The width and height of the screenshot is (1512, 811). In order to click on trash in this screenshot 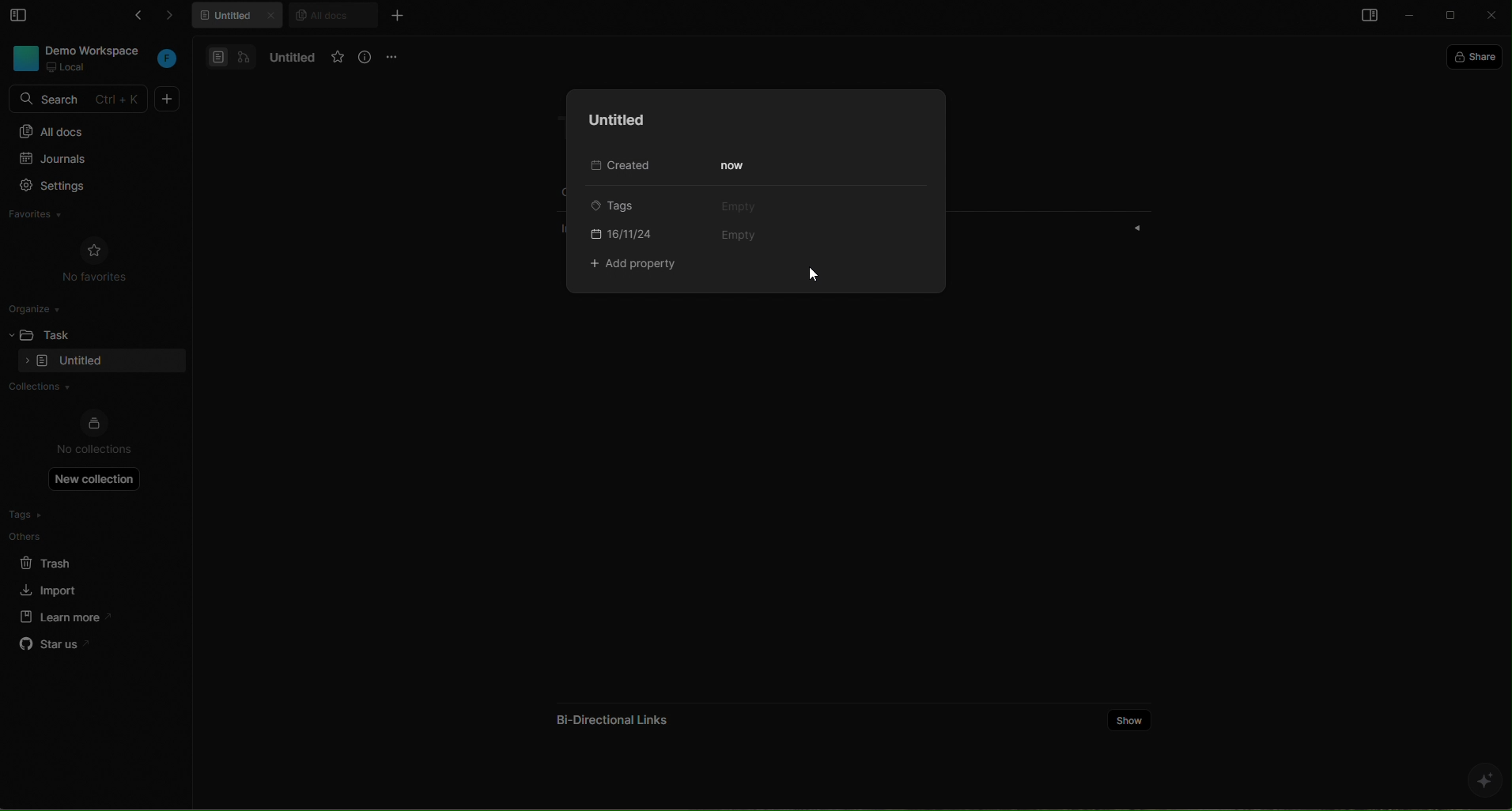, I will do `click(59, 560)`.